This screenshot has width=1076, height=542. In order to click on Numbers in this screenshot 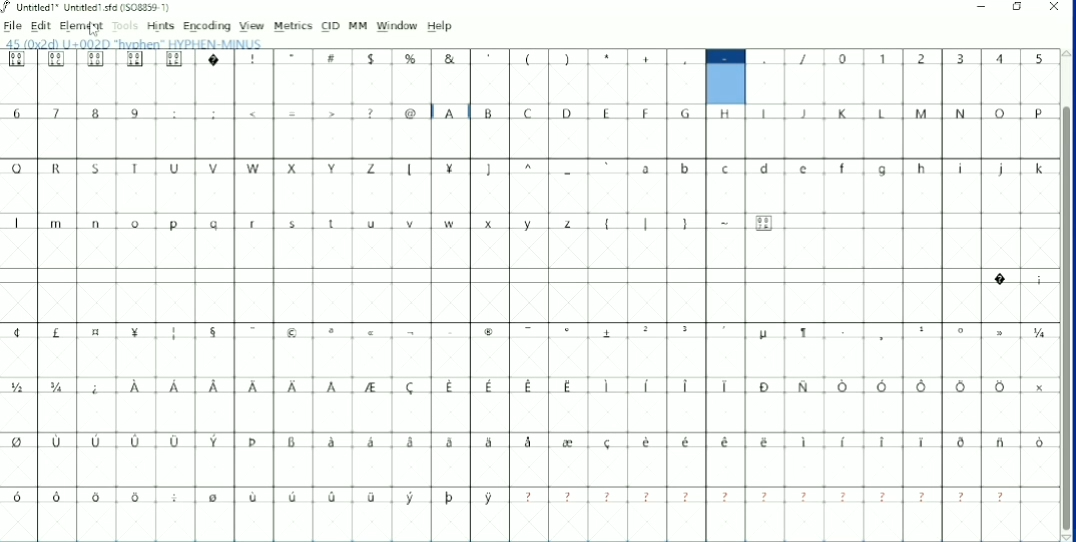, I will do `click(78, 113)`.